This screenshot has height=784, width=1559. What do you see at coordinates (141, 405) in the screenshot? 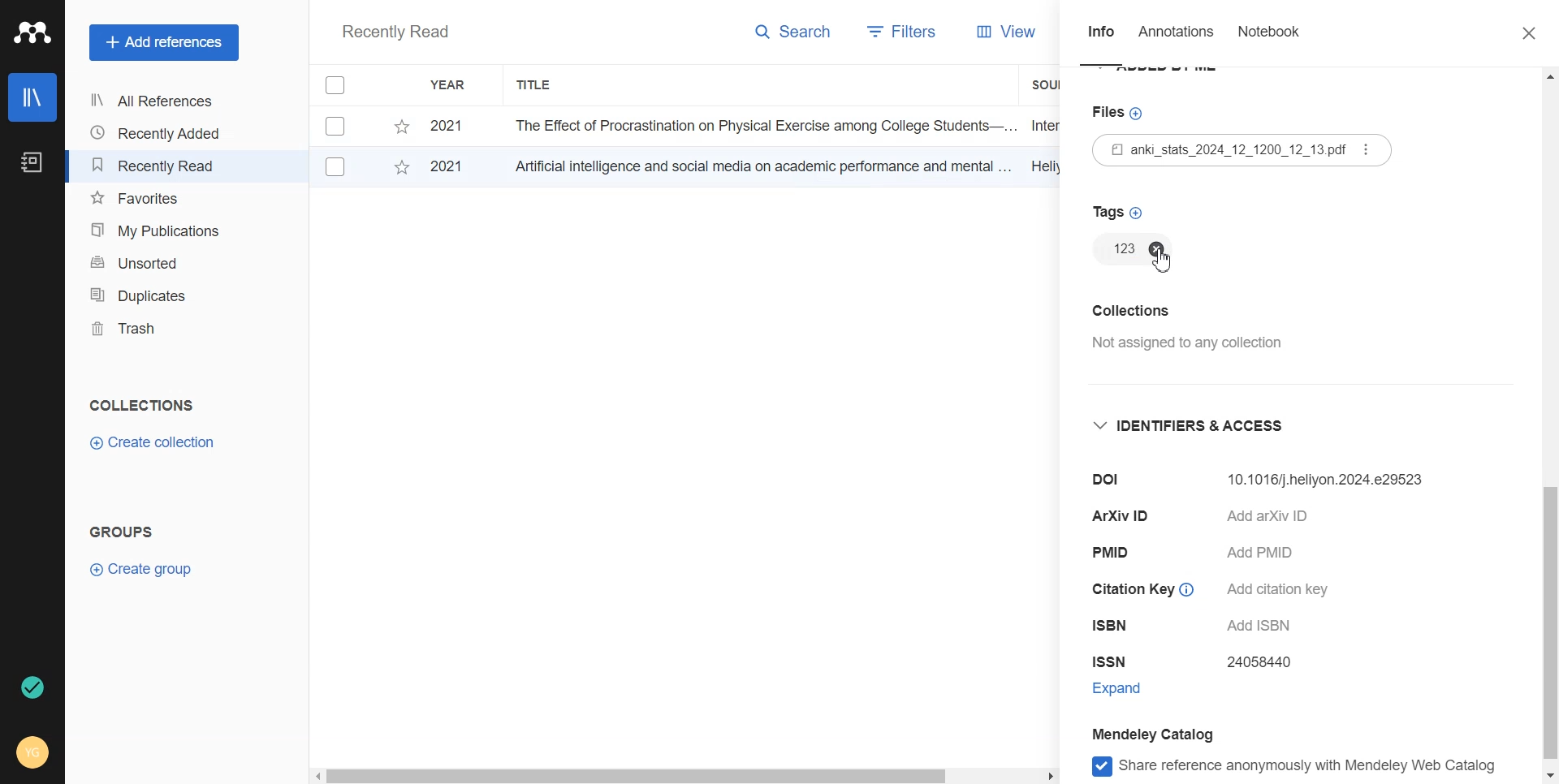
I see `Collections` at bounding box center [141, 405].